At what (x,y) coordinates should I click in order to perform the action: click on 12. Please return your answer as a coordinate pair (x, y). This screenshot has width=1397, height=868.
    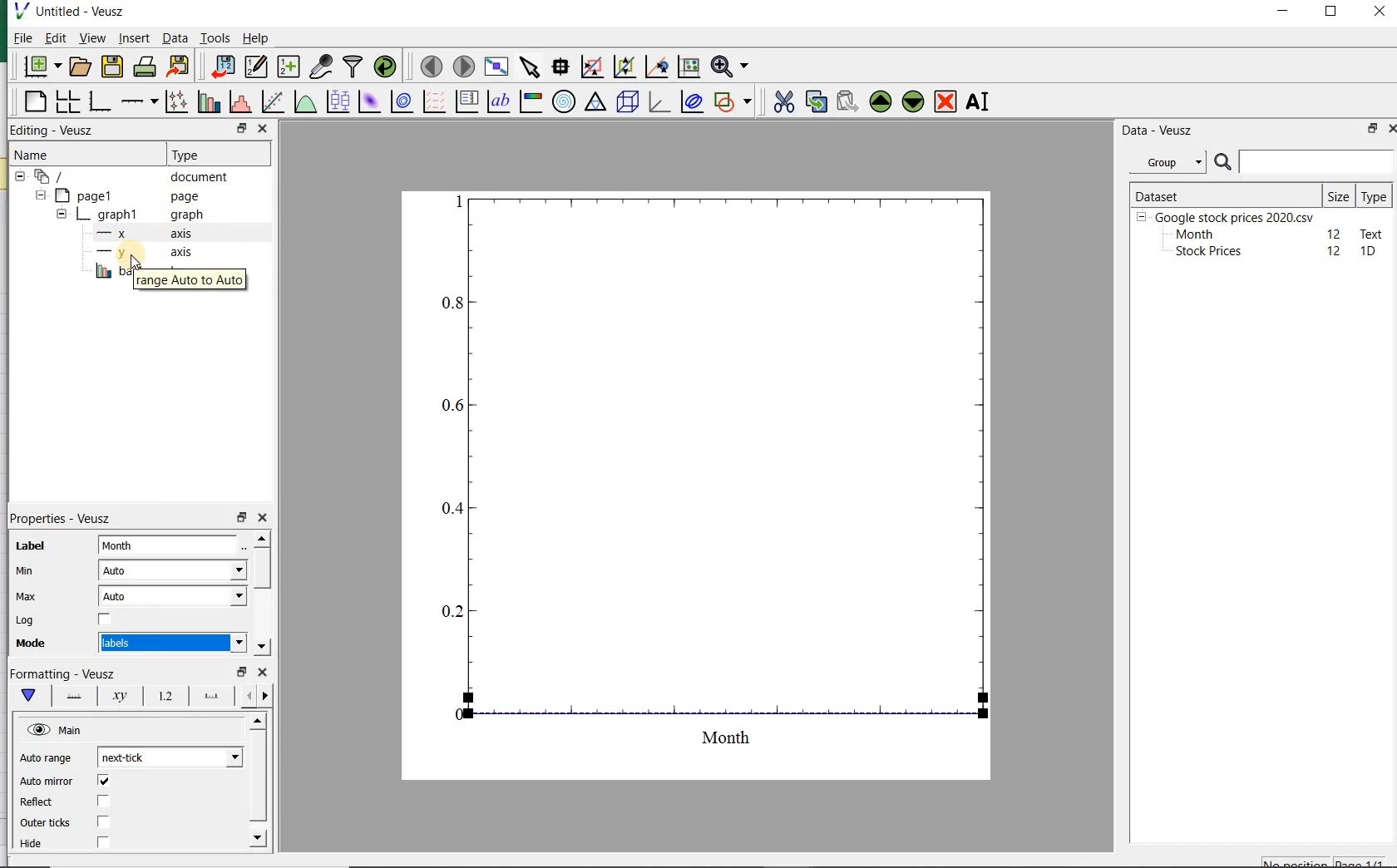
    Looking at the image, I should click on (1335, 251).